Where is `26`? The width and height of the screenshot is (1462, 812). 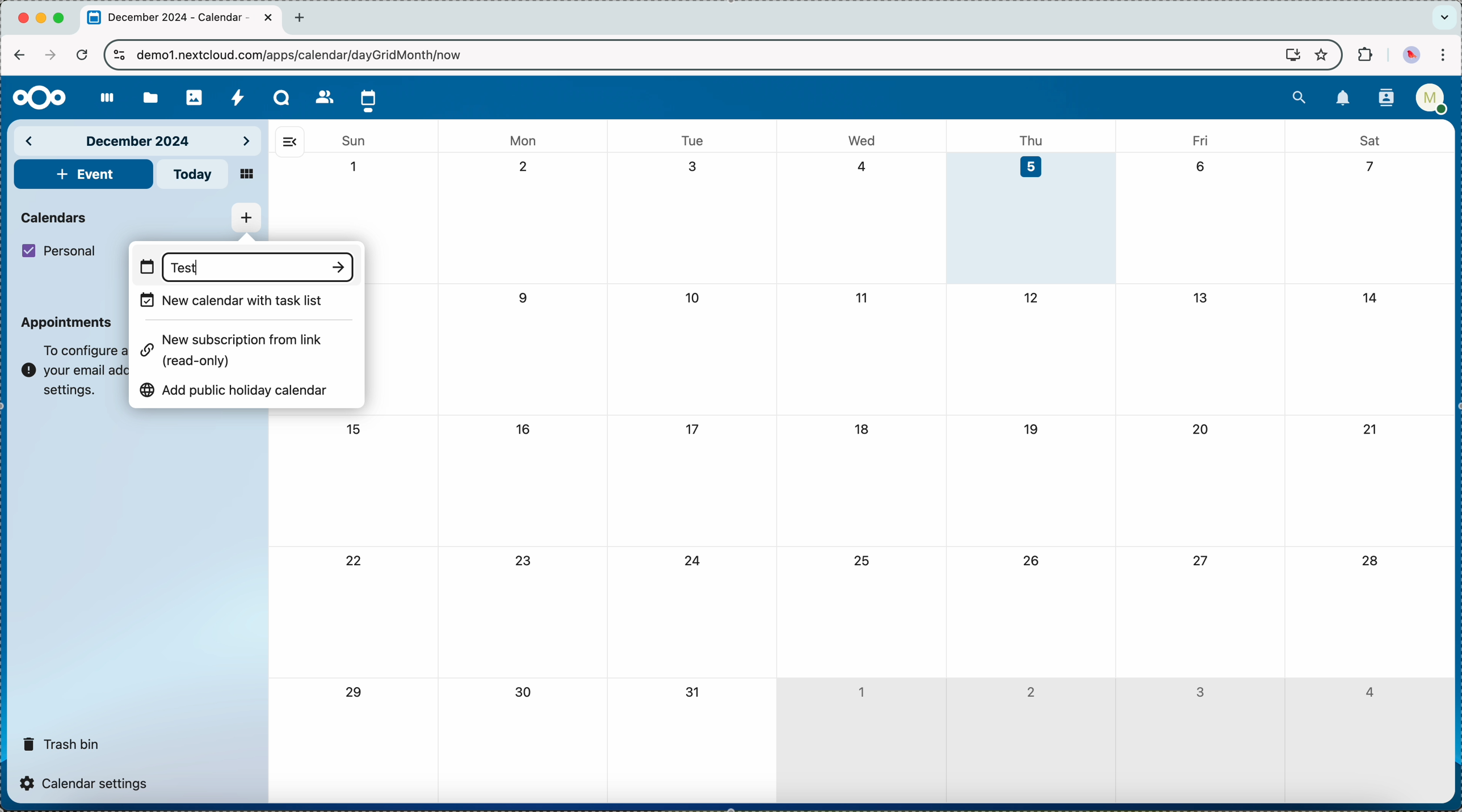
26 is located at coordinates (1032, 559).